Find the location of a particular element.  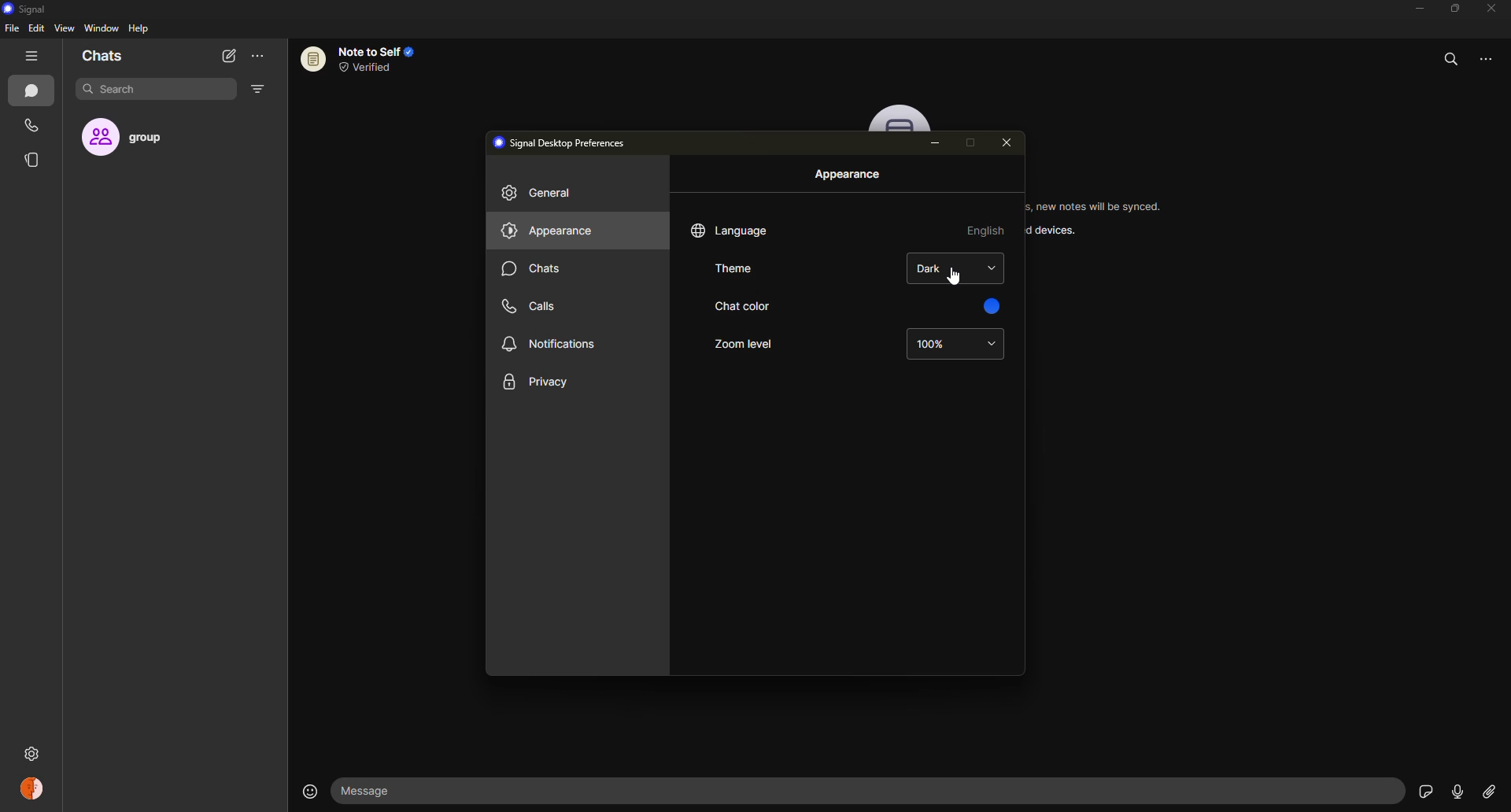

calls is located at coordinates (34, 127).